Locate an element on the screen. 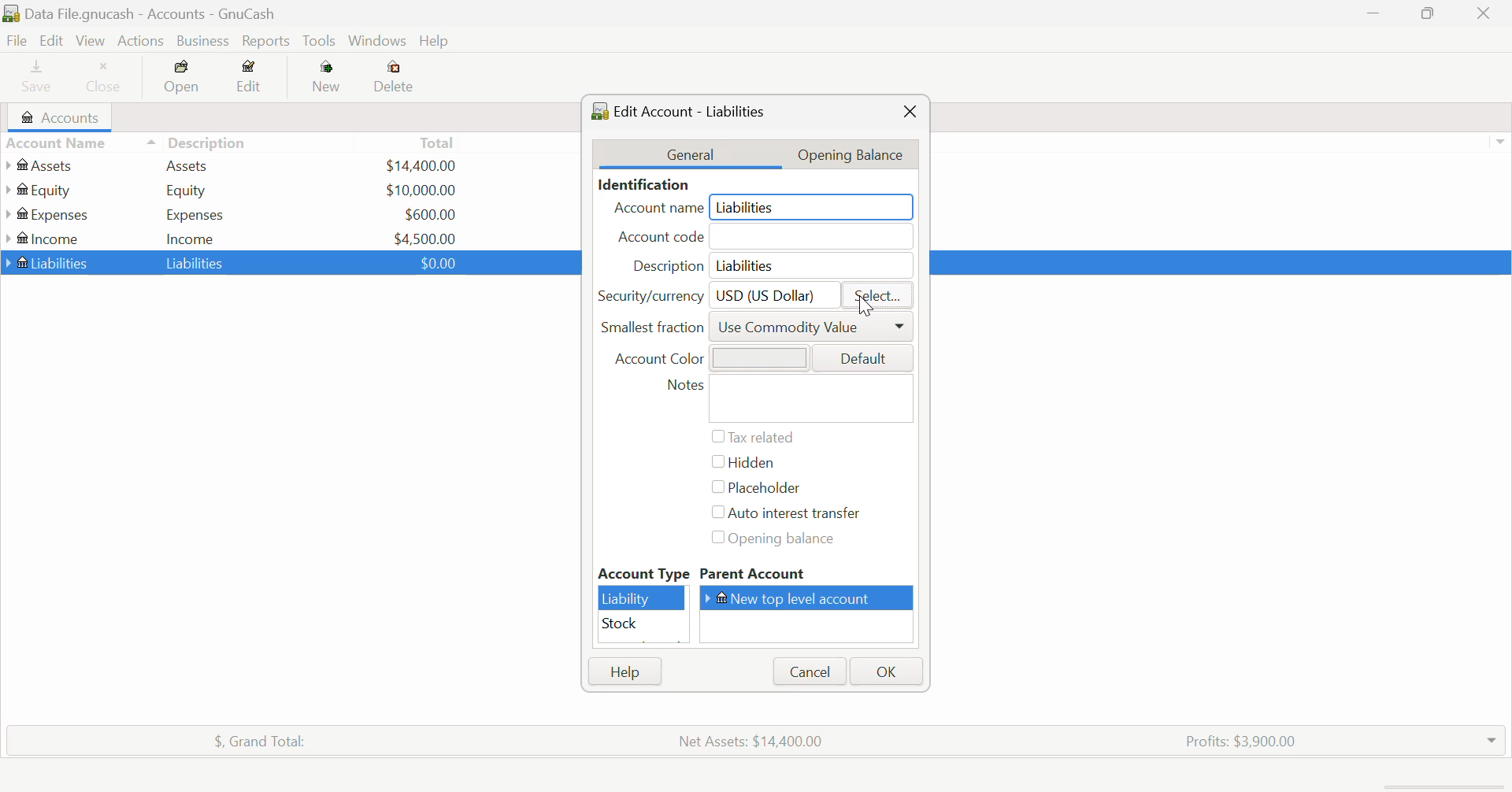 The height and width of the screenshot is (792, 1512). USD is located at coordinates (434, 262).